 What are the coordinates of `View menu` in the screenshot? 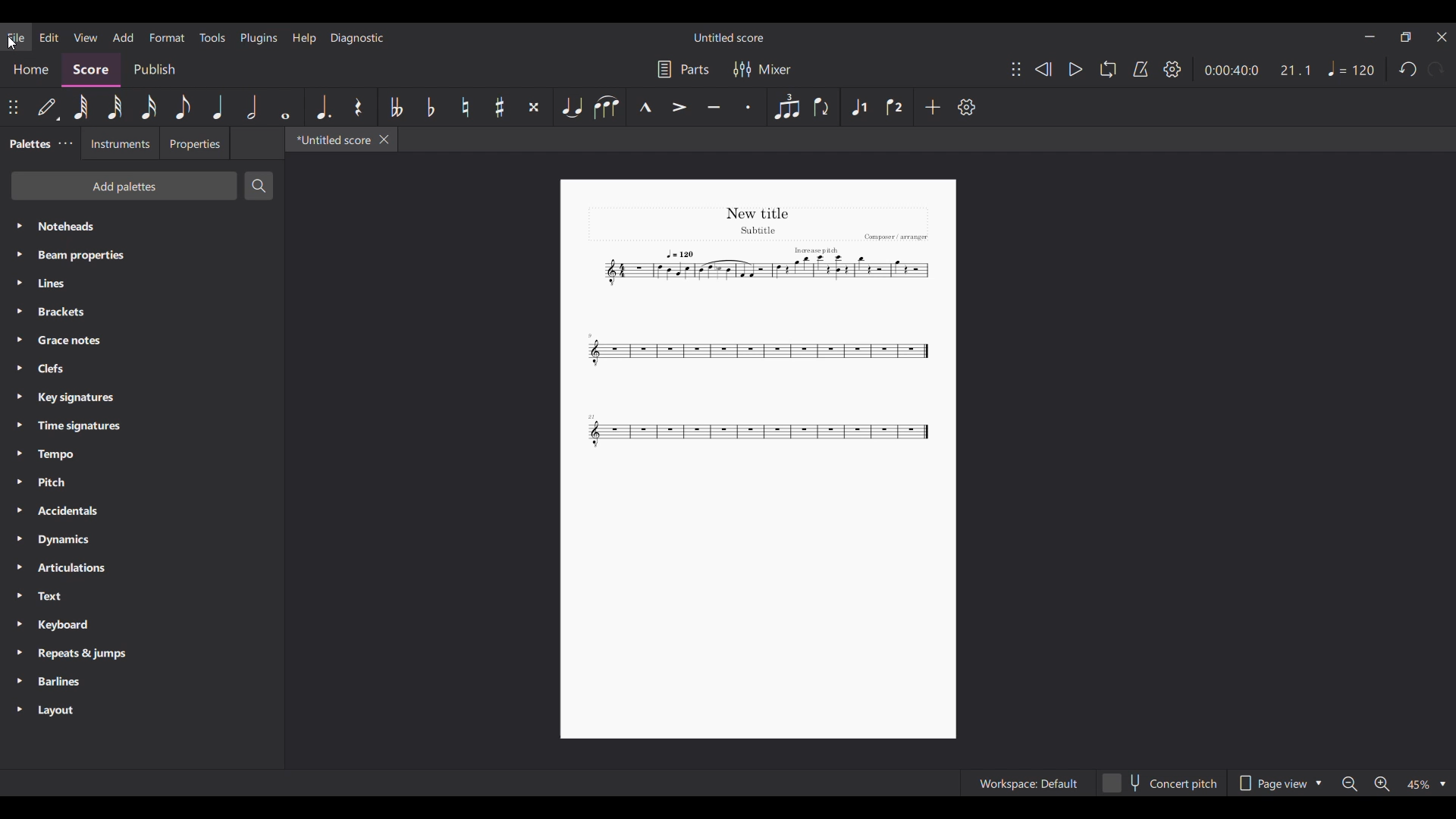 It's located at (86, 37).